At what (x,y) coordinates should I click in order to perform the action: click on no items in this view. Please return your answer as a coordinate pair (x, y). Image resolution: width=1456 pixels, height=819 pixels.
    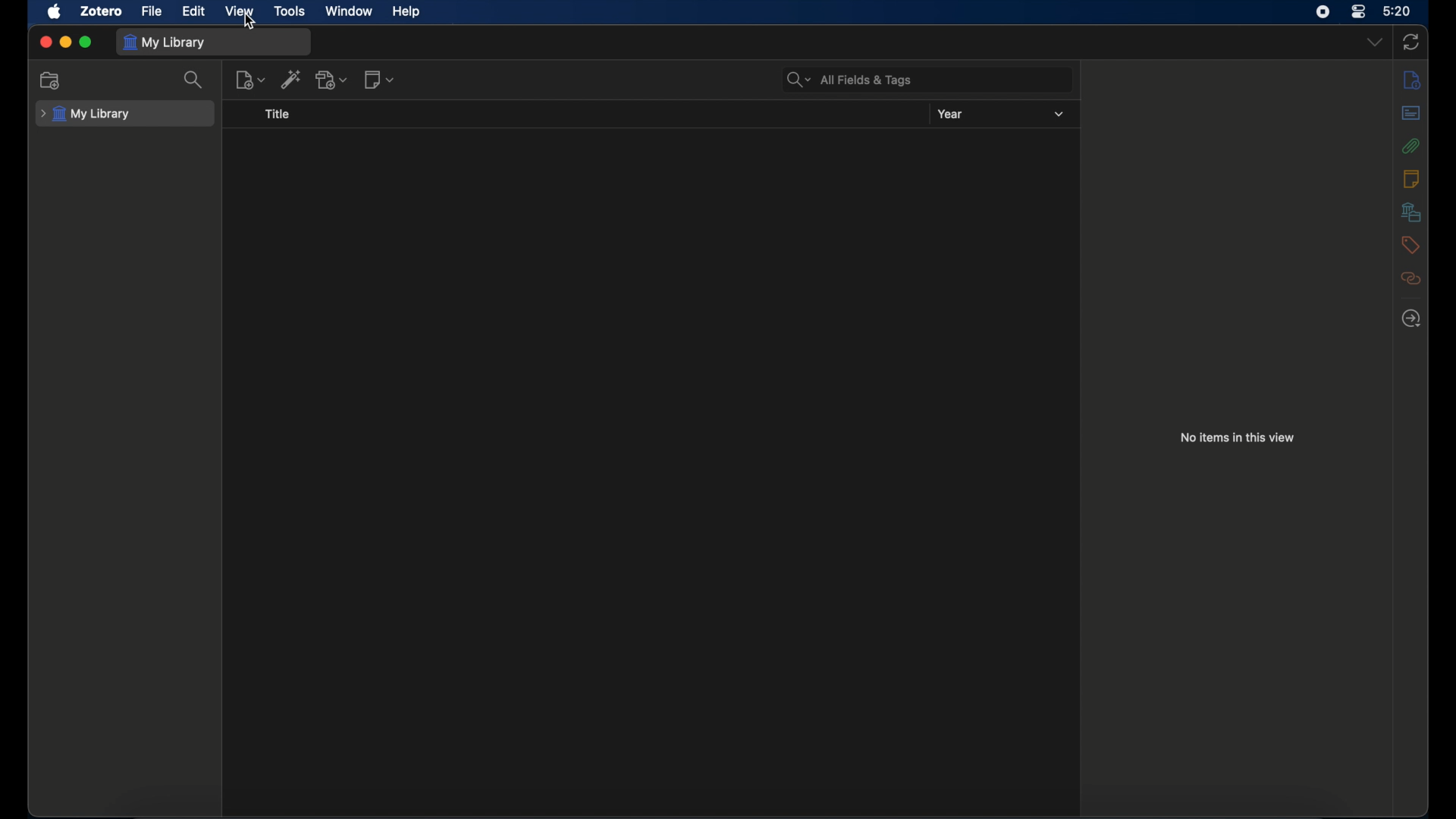
    Looking at the image, I should click on (1236, 437).